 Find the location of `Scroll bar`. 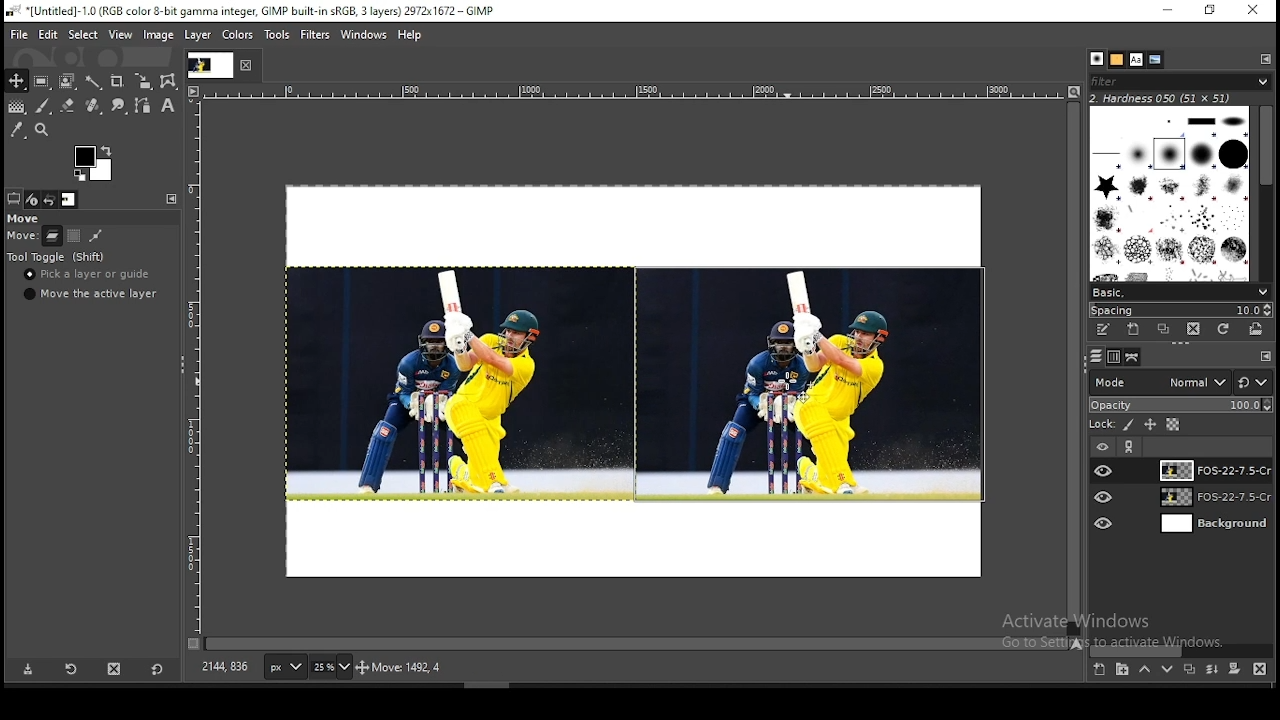

Scroll bar is located at coordinates (1267, 190).